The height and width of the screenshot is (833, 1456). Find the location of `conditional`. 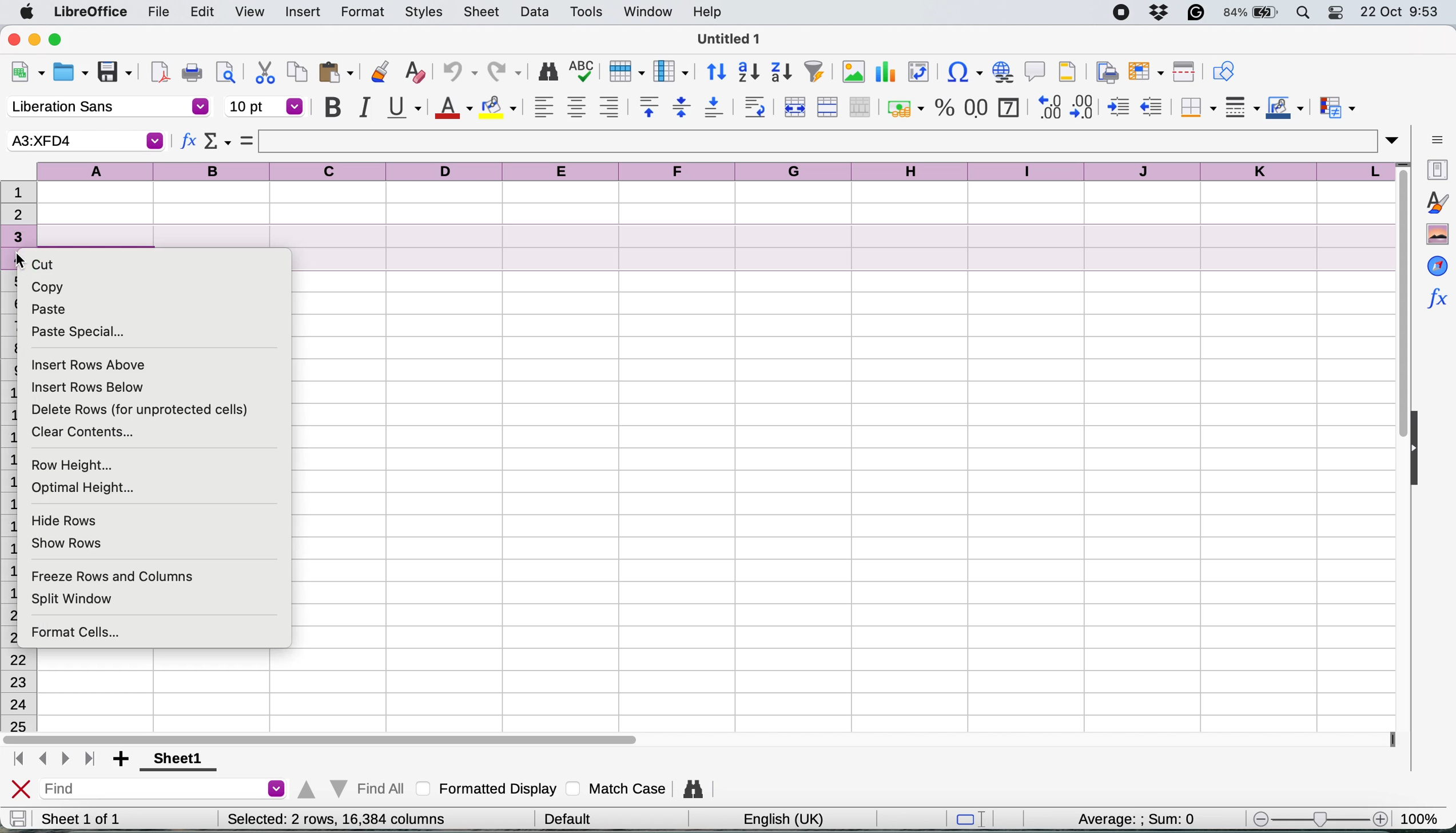

conditional is located at coordinates (1336, 109).